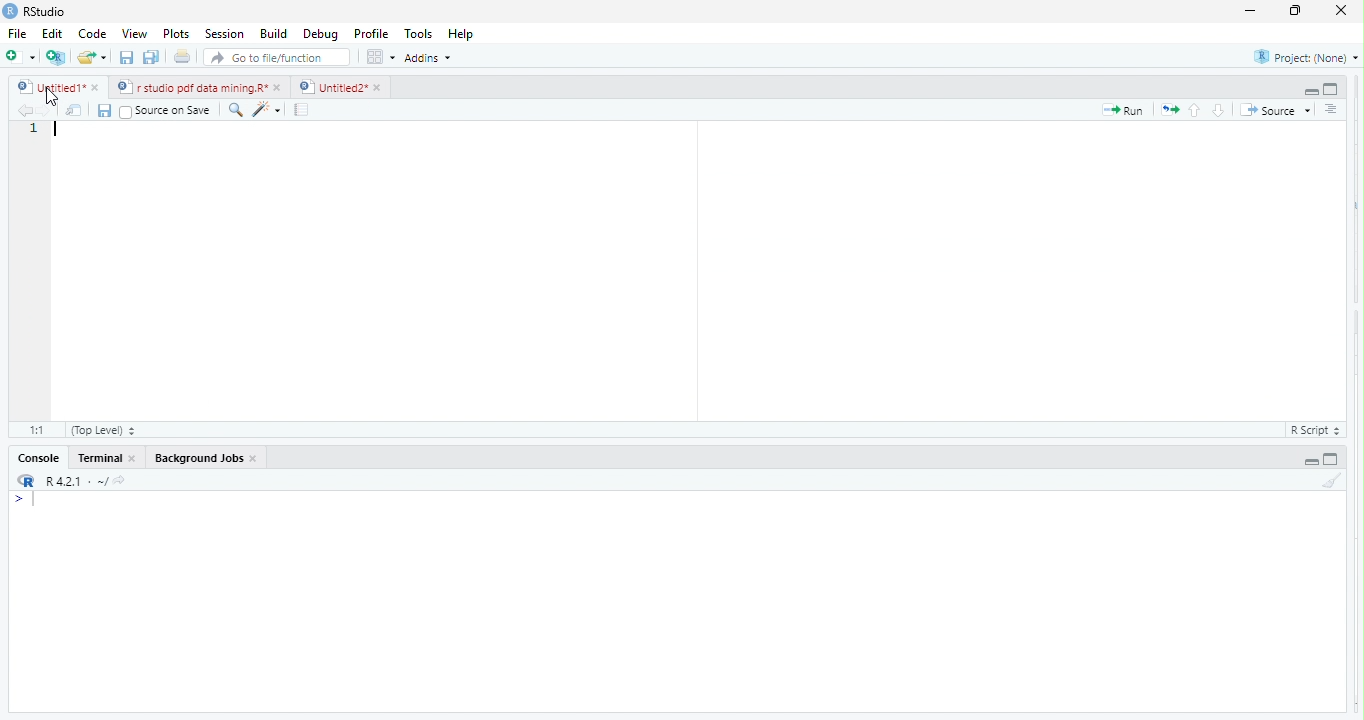 The height and width of the screenshot is (720, 1364). I want to click on Profile, so click(375, 35).